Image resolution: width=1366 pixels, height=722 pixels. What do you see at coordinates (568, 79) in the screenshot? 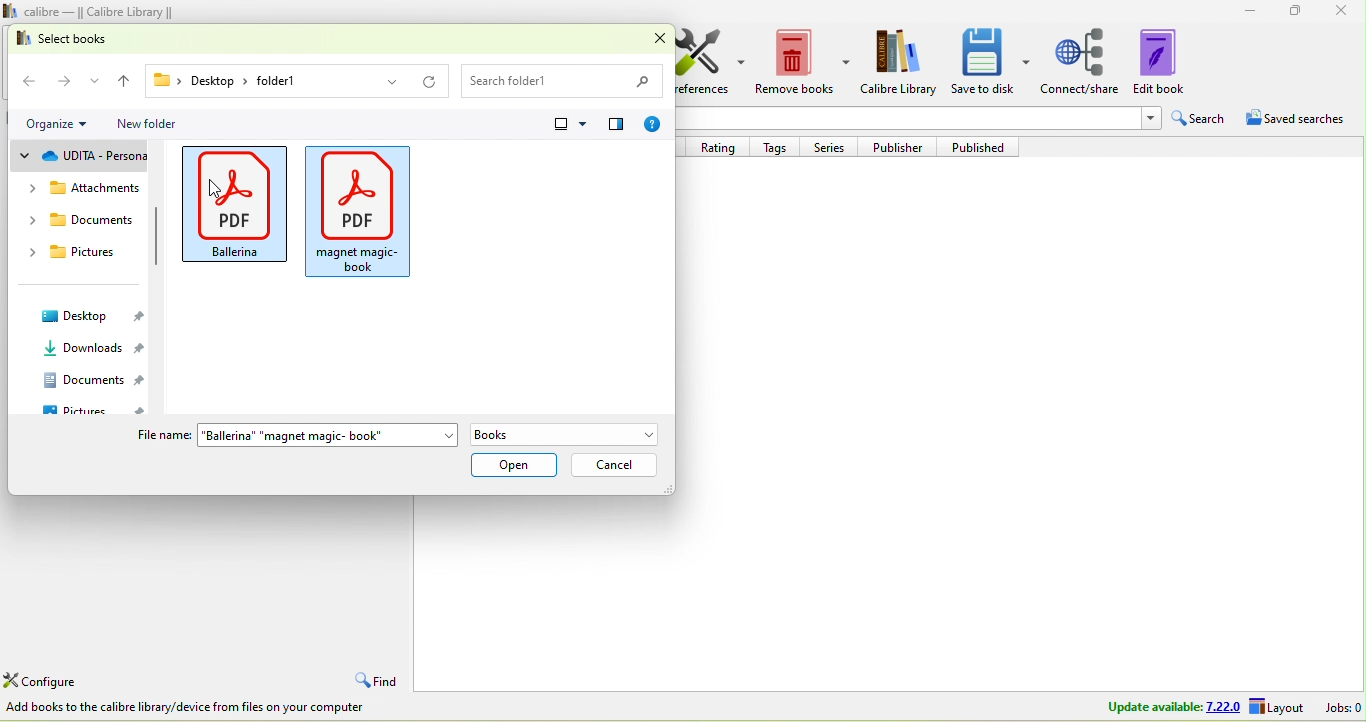
I see `search folder 1` at bounding box center [568, 79].